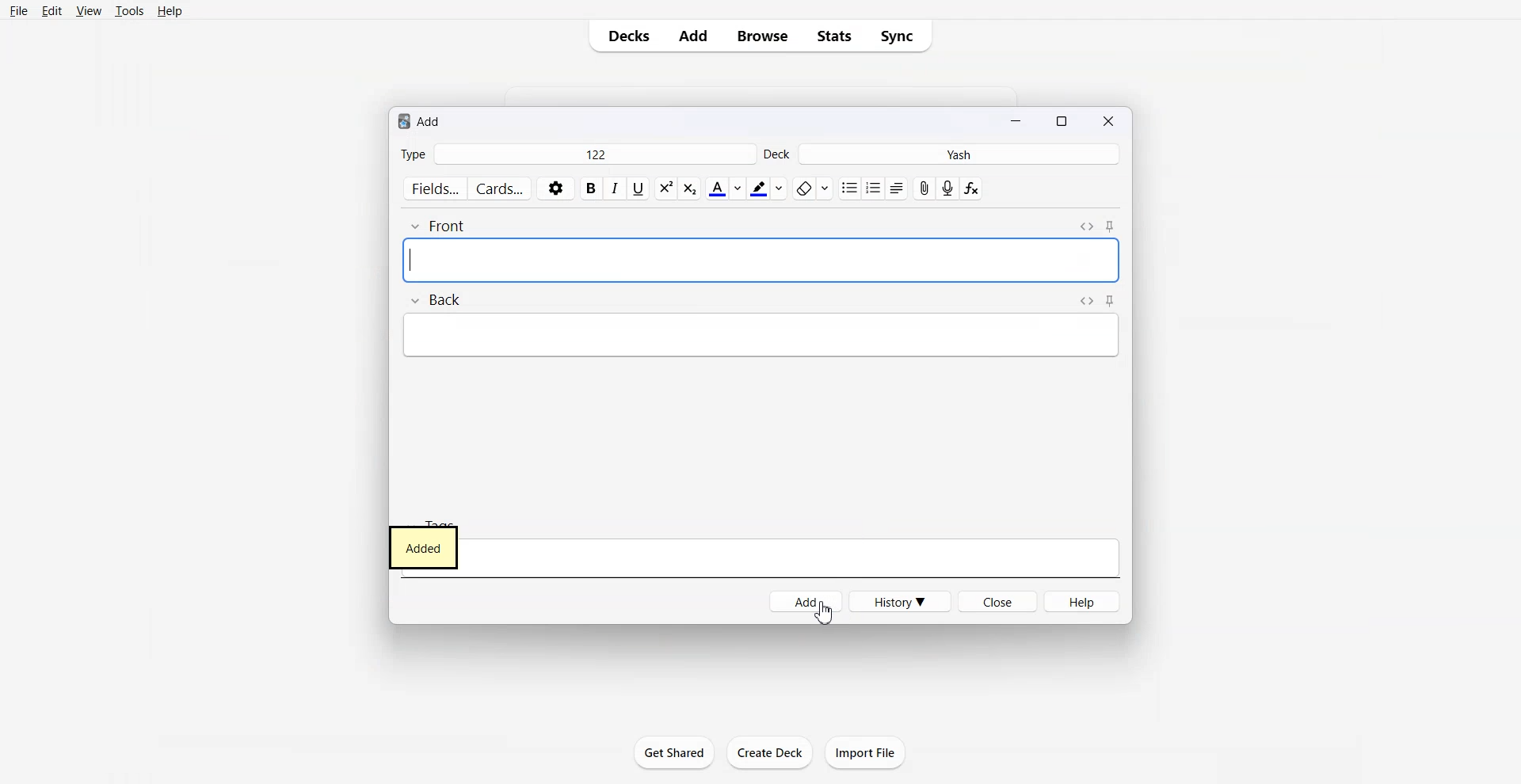  I want to click on Attach file, so click(924, 188).